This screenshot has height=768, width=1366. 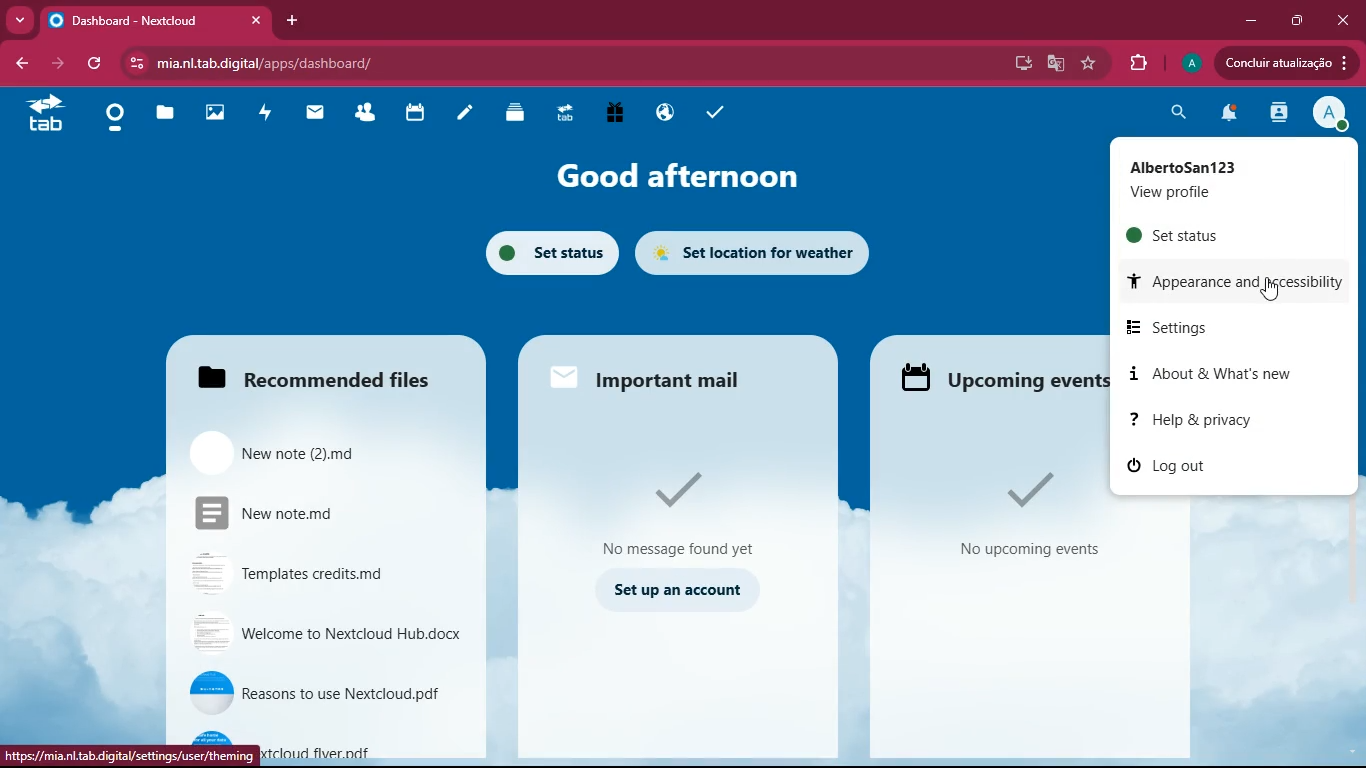 I want to click on mail, so click(x=314, y=115).